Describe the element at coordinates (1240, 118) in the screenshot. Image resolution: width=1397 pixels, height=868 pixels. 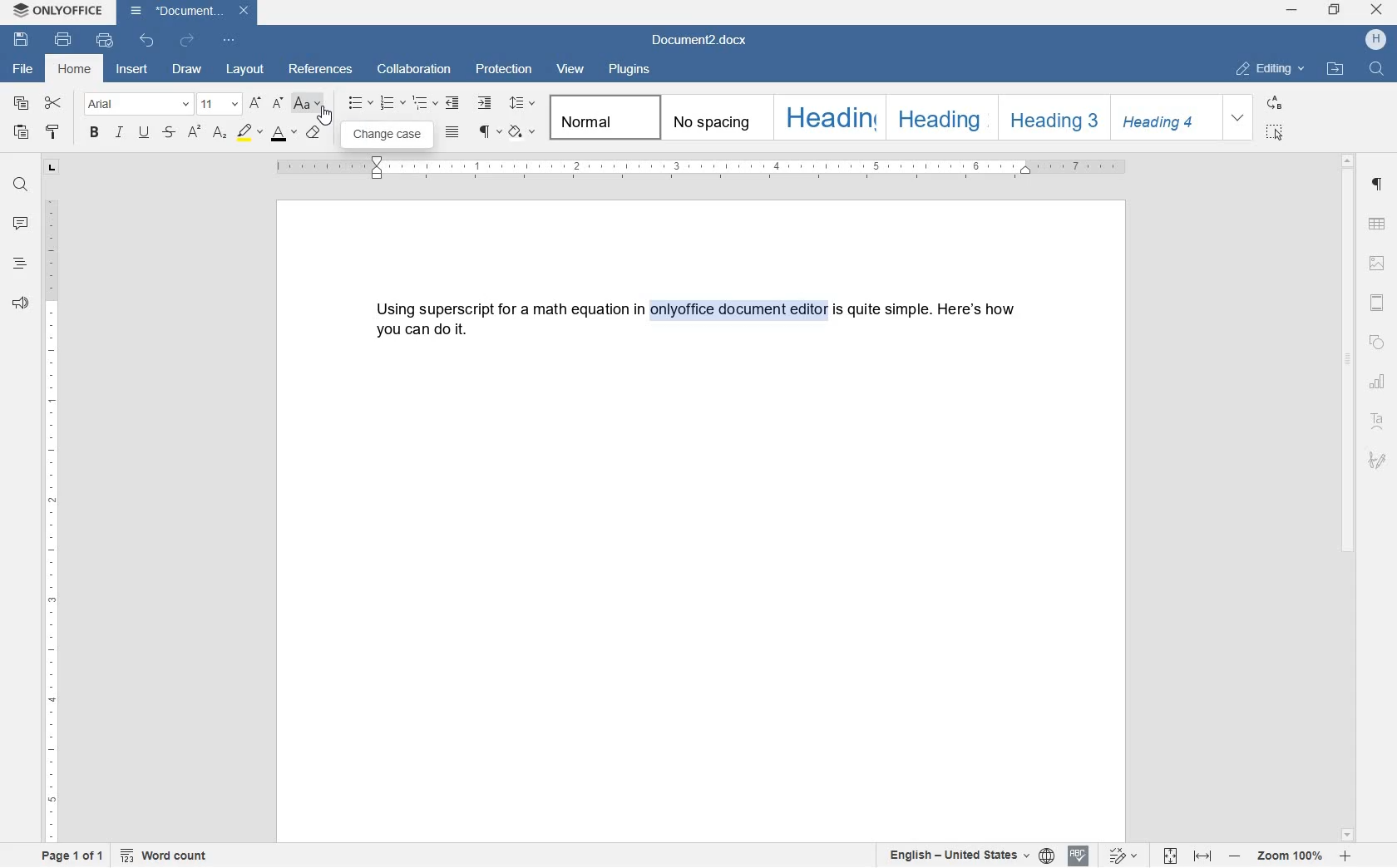
I see `EXPAND FORMATTING STYLE` at that location.